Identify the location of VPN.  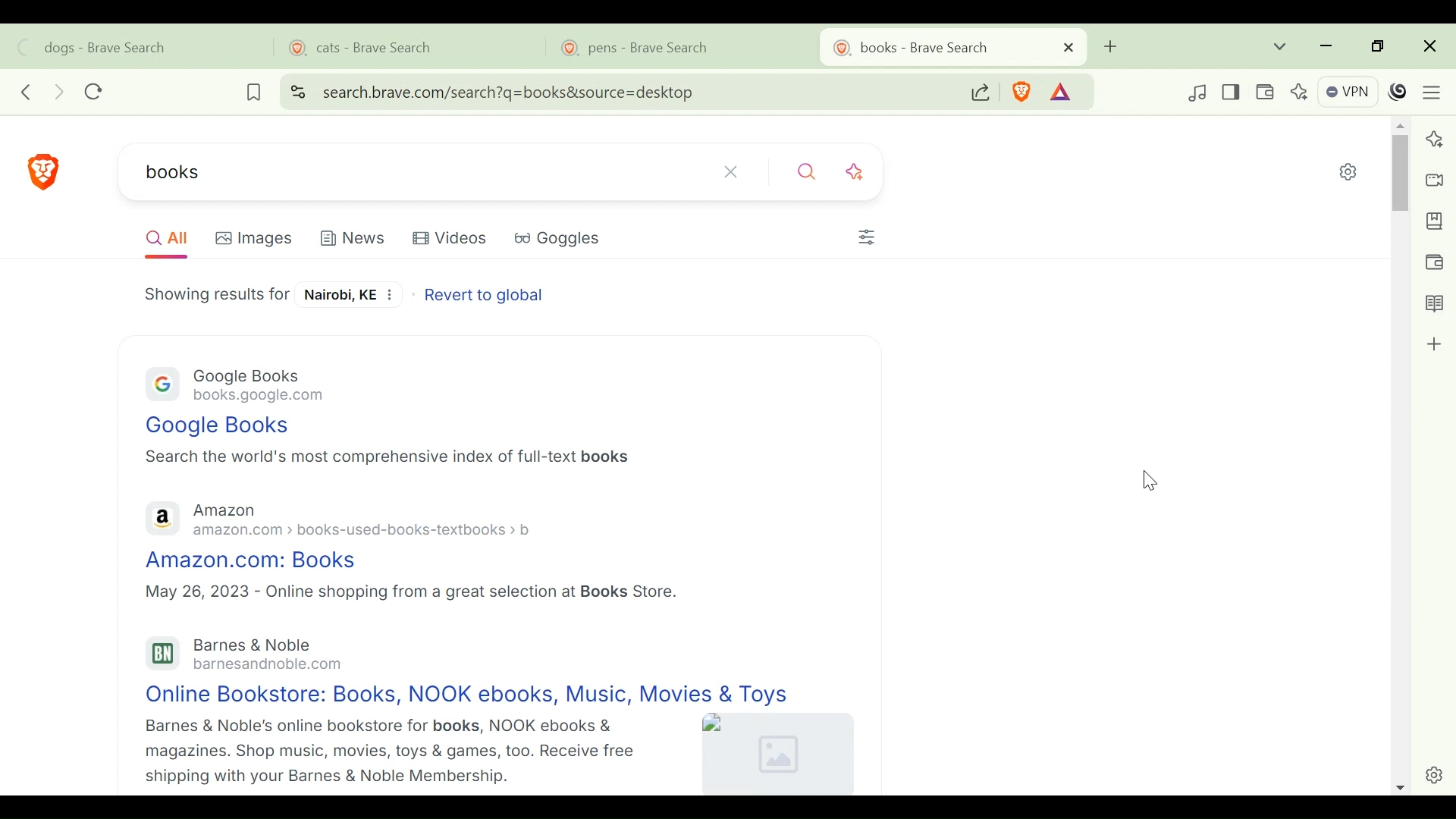
(1345, 91).